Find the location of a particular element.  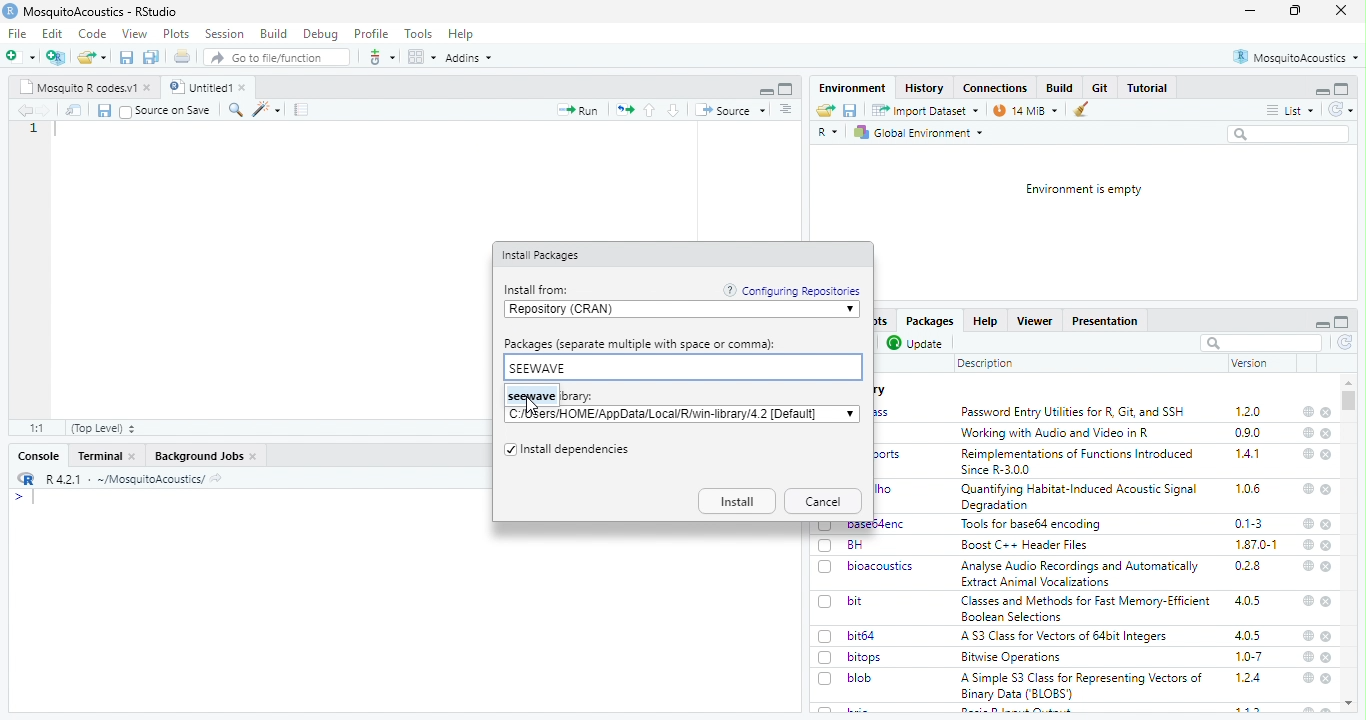

maximise is located at coordinates (1342, 322).